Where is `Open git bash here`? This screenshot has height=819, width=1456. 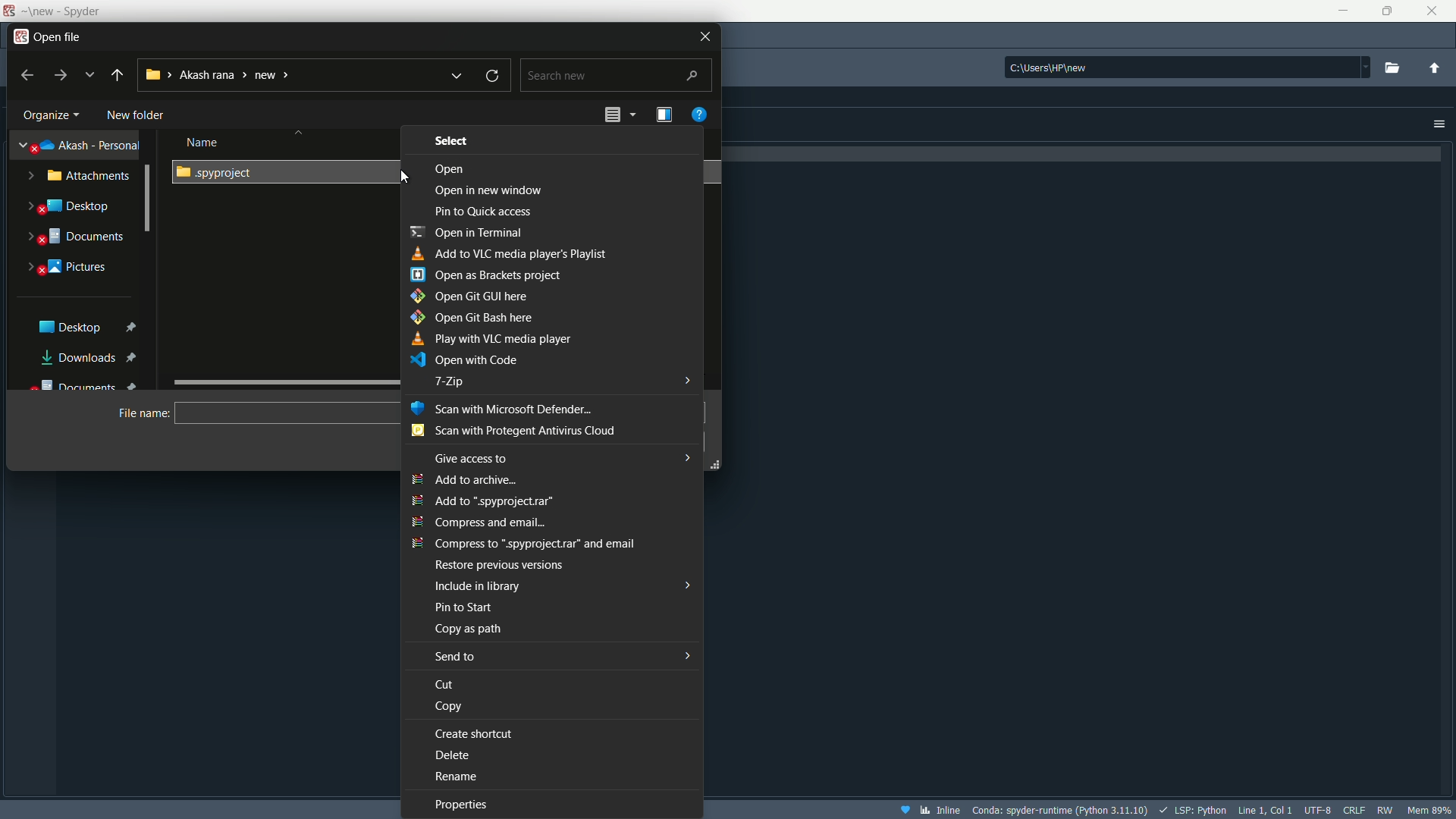
Open git bash here is located at coordinates (475, 318).